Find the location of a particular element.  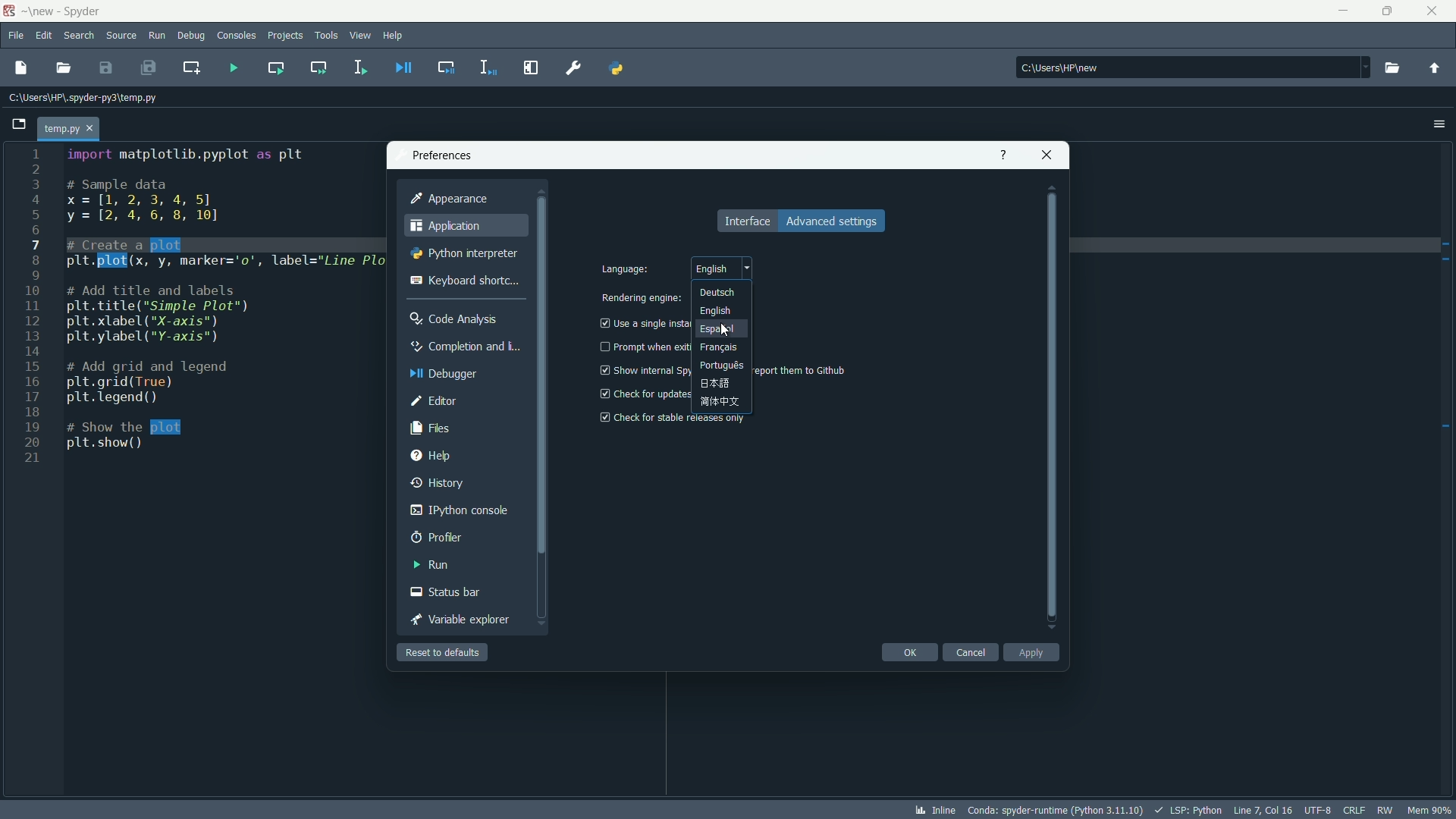

maximize is located at coordinates (1389, 11).